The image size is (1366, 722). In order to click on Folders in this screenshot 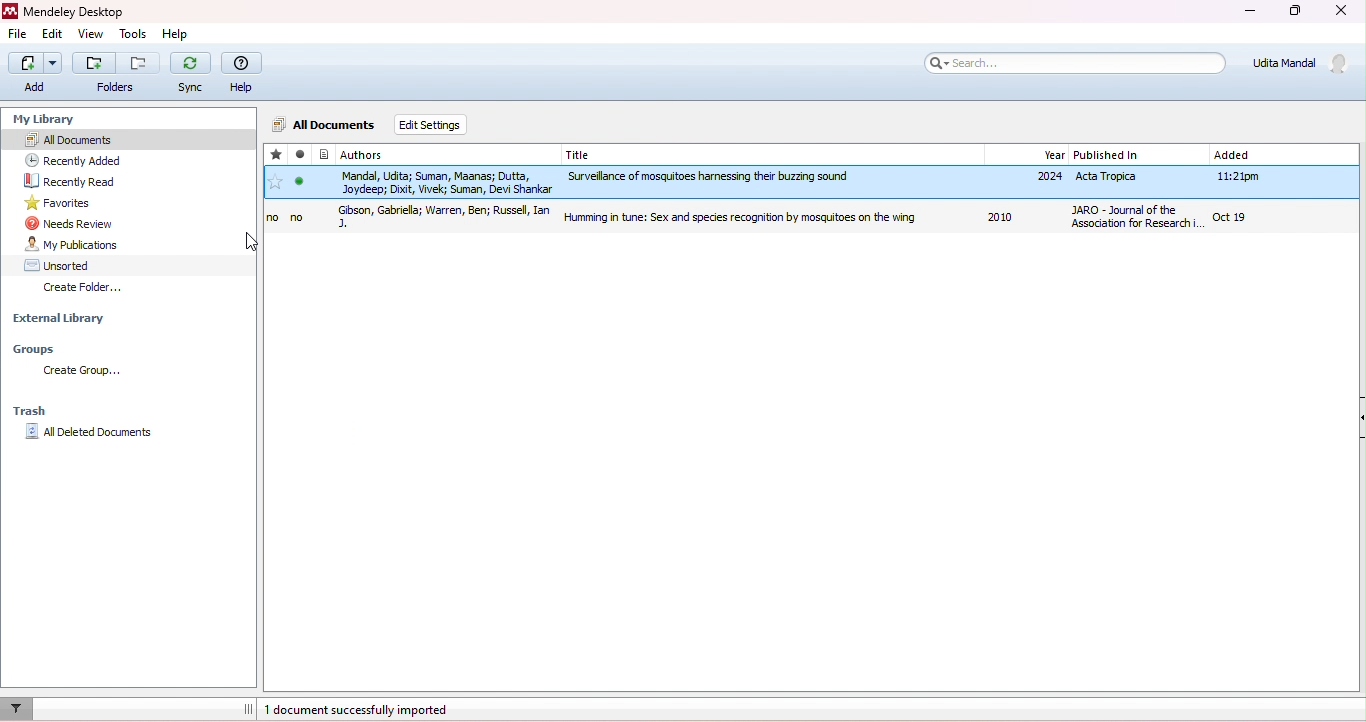, I will do `click(115, 86)`.